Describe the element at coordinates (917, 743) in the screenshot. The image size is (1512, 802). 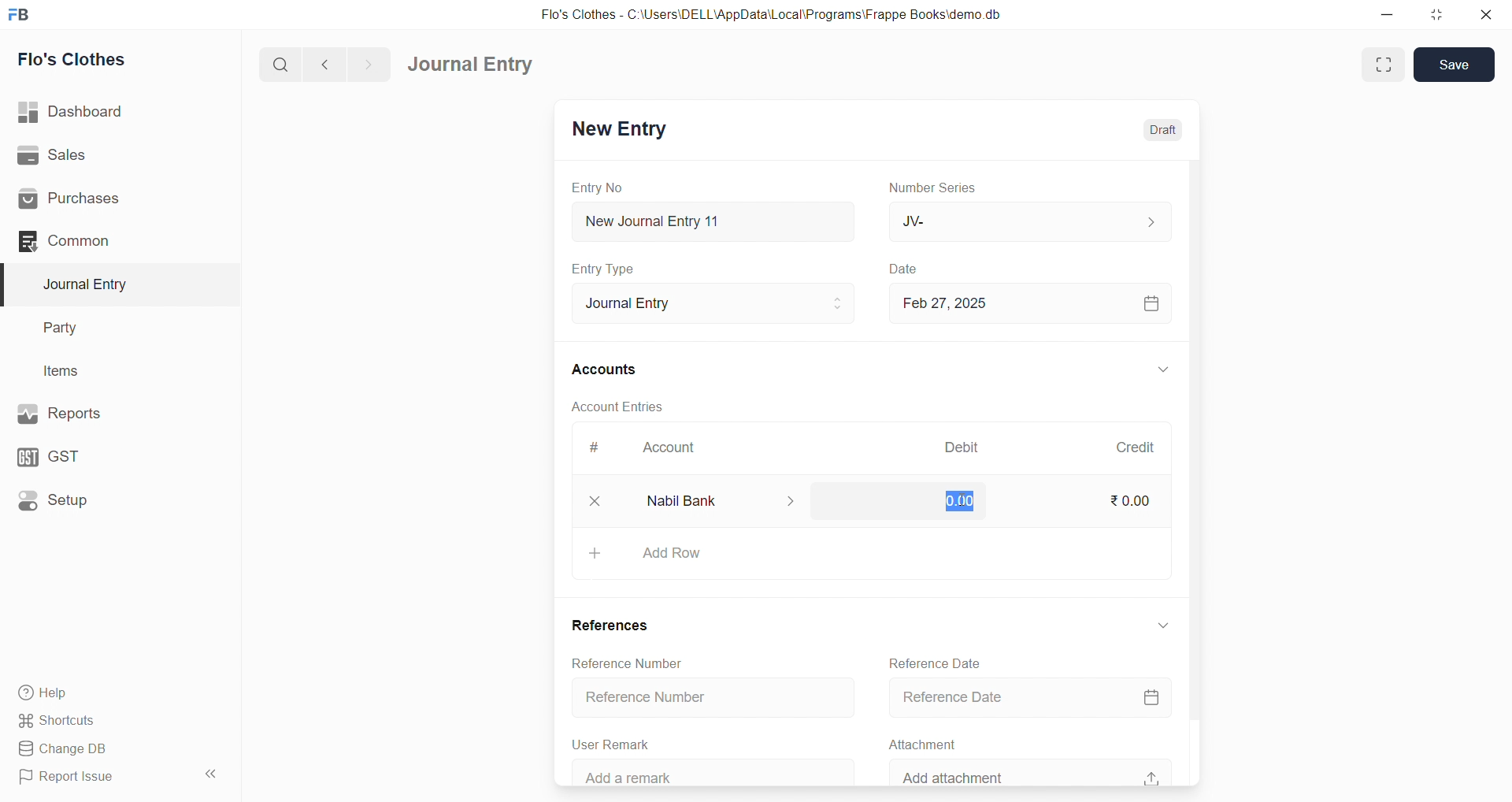
I see `Attachment` at that location.